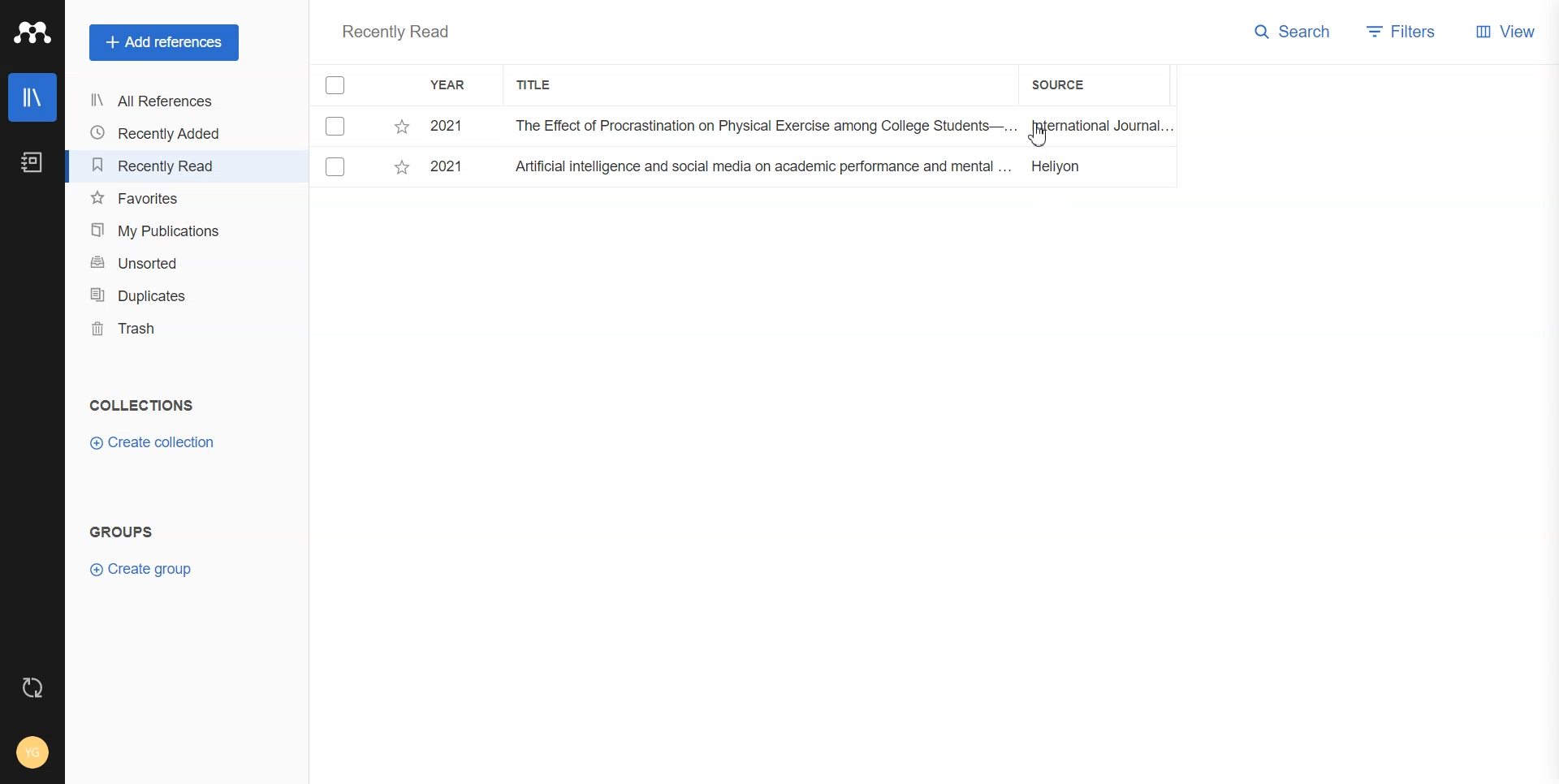  Describe the element at coordinates (164, 43) in the screenshot. I see `Add references` at that location.